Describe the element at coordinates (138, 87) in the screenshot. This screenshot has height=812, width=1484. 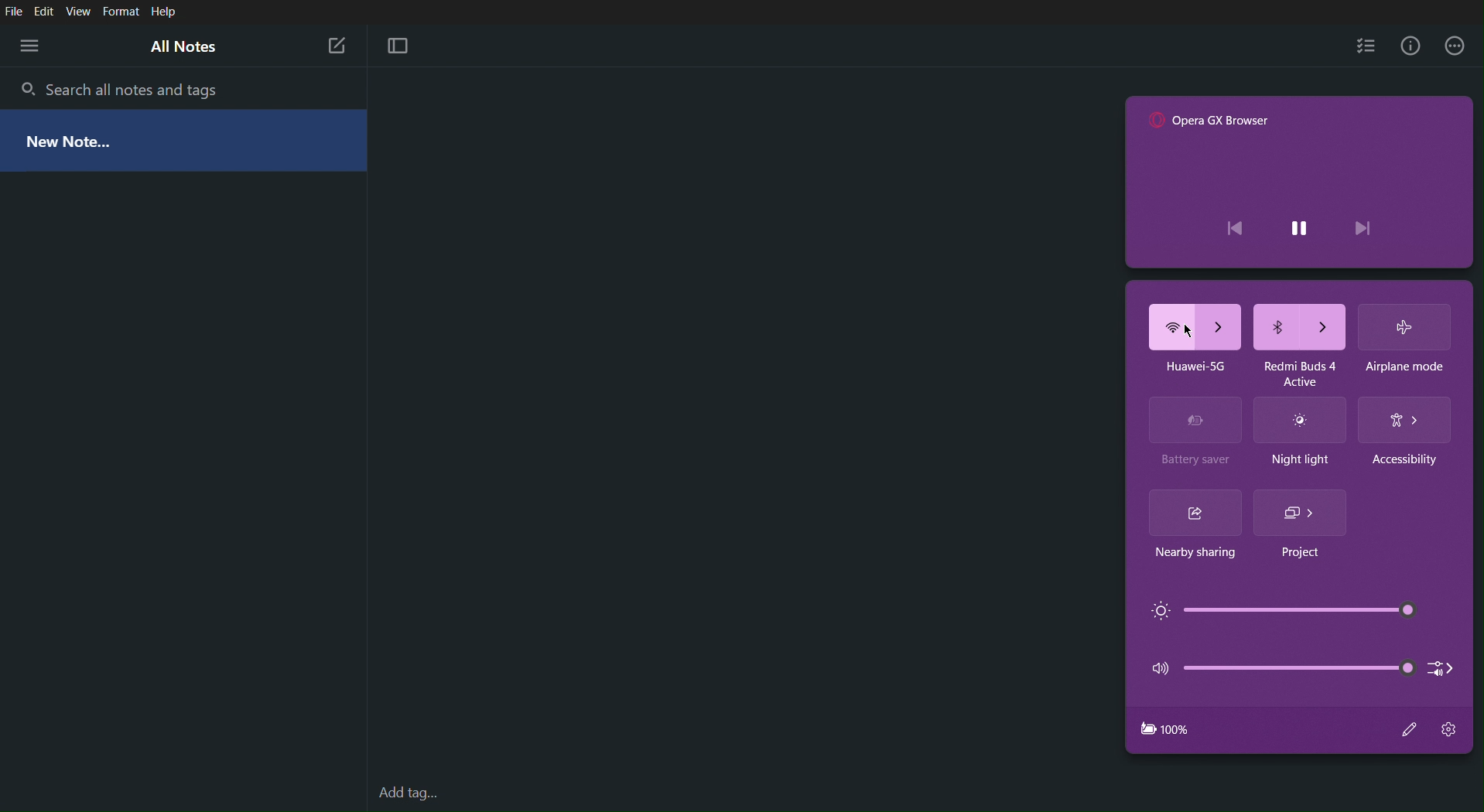
I see `Search all notes and tags` at that location.